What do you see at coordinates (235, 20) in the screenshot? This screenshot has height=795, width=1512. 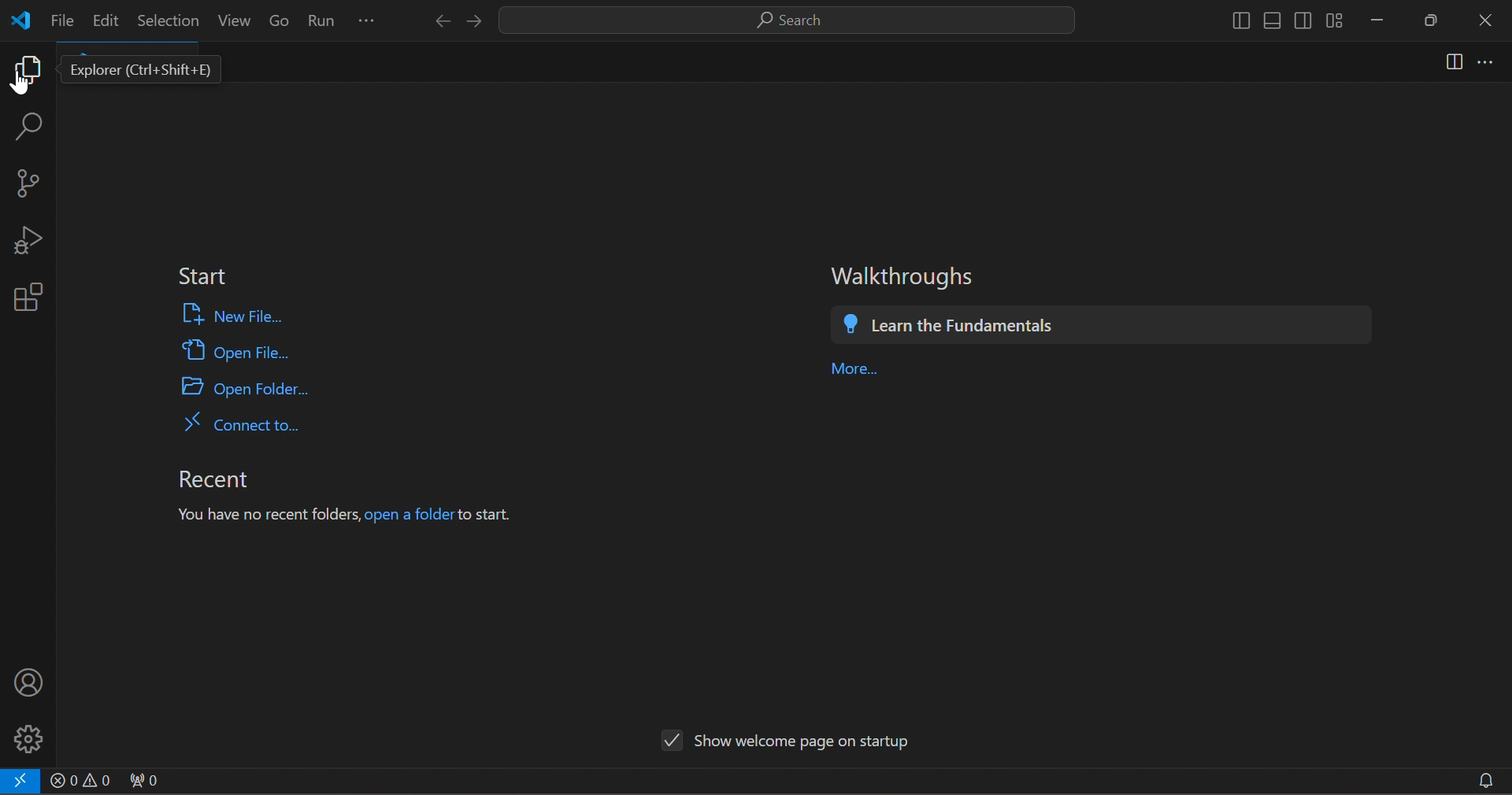 I see `view` at bounding box center [235, 20].